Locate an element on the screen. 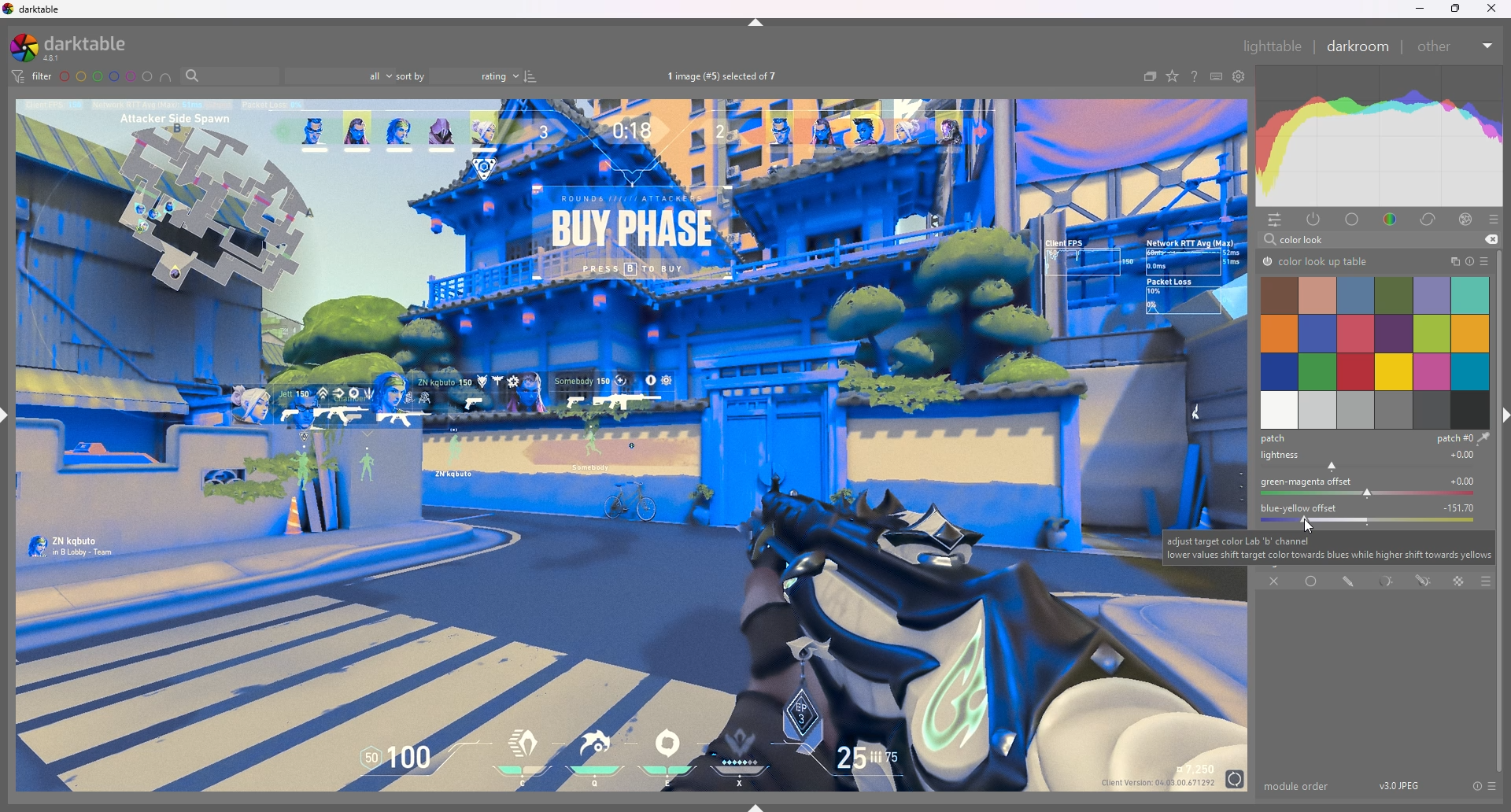 The width and height of the screenshot is (1511, 812). parametric mask is located at coordinates (1387, 581).